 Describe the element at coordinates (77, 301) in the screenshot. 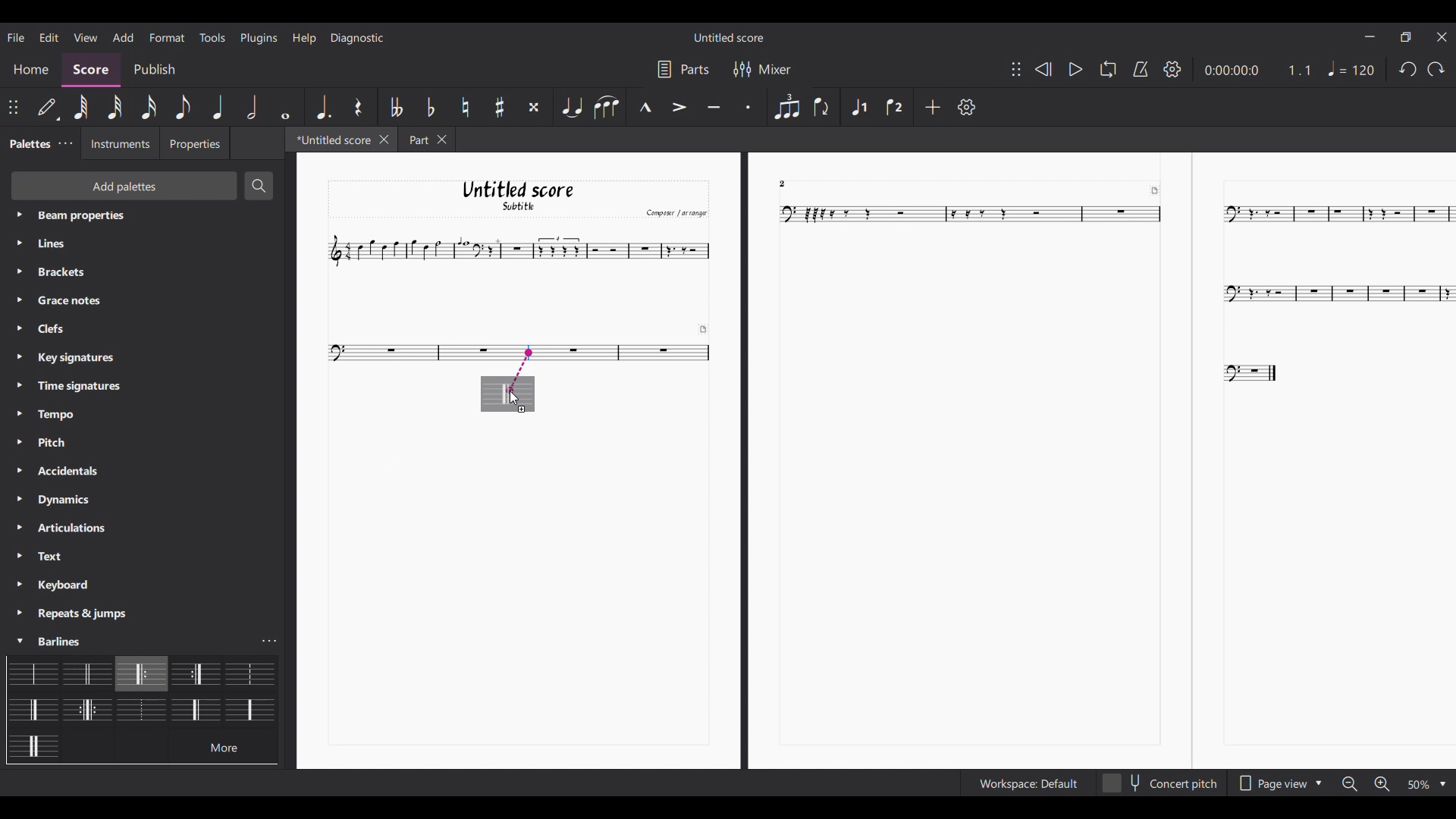

I see `Palette settings` at that location.